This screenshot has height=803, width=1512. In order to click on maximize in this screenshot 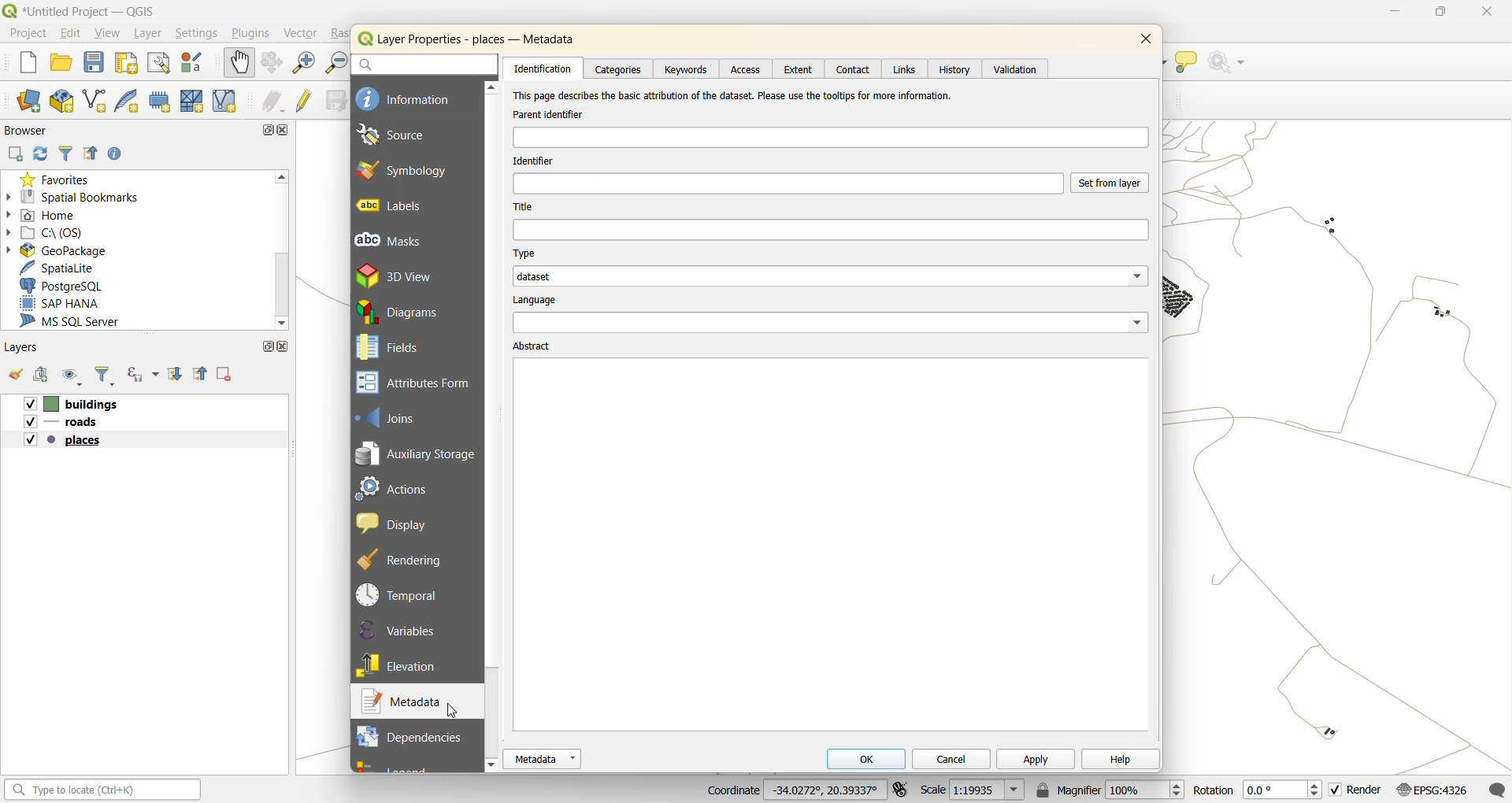, I will do `click(265, 130)`.